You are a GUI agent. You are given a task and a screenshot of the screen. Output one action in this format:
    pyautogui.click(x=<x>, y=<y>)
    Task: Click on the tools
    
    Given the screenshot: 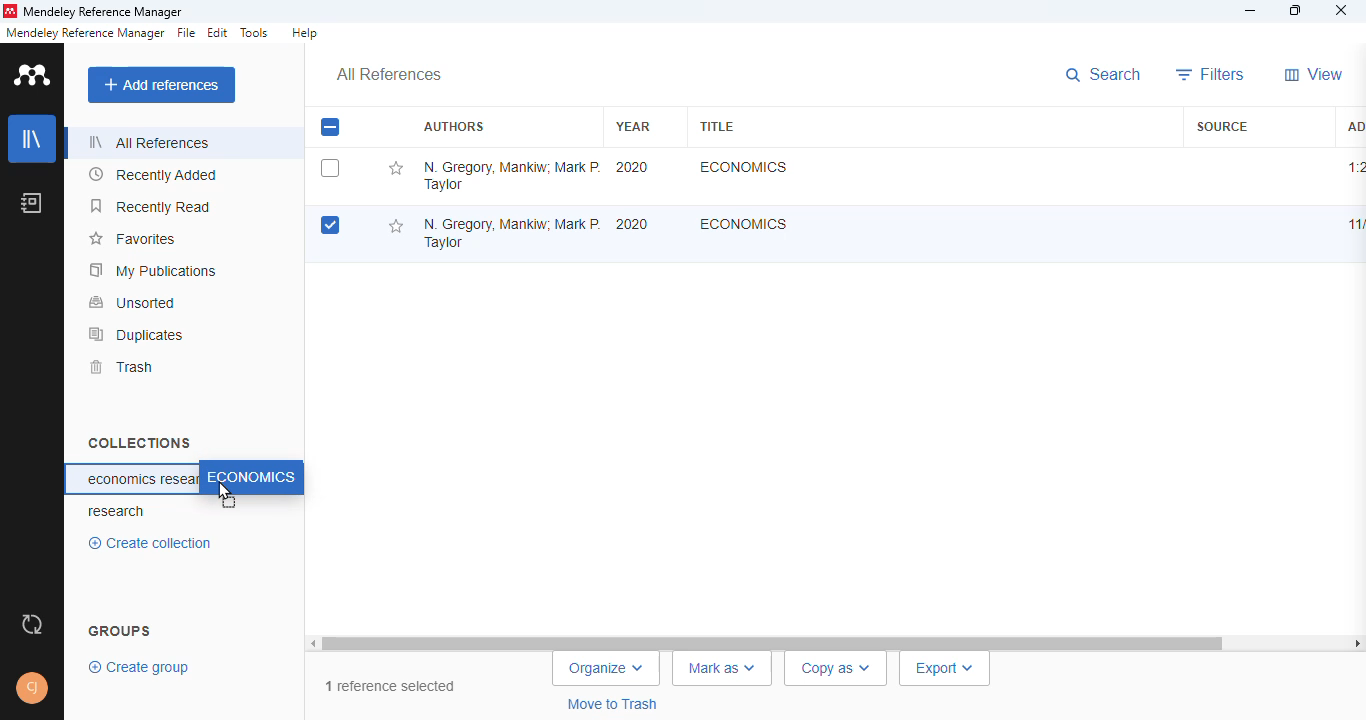 What is the action you would take?
    pyautogui.click(x=255, y=33)
    